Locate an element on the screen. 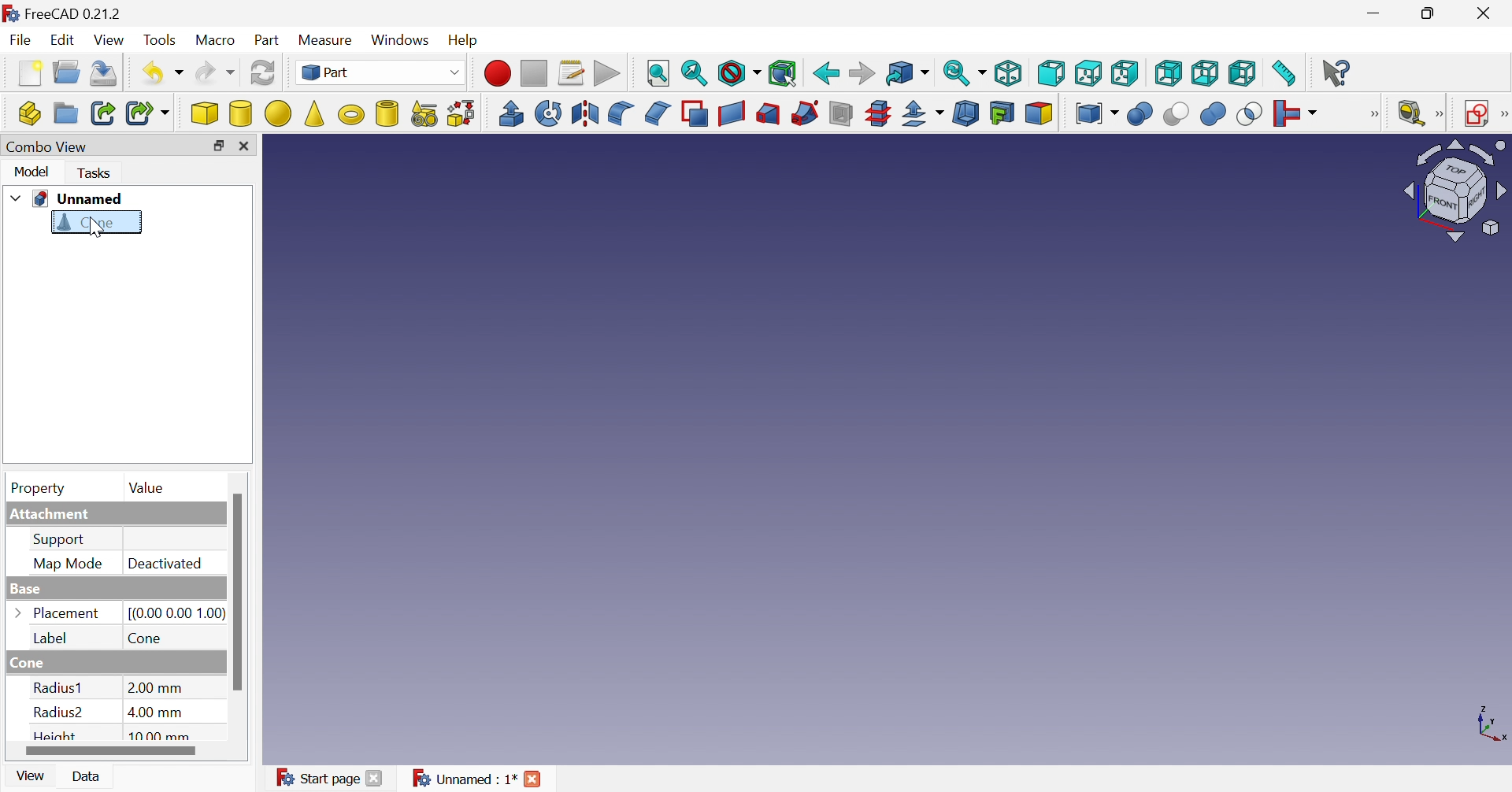  Create part is located at coordinates (29, 113).